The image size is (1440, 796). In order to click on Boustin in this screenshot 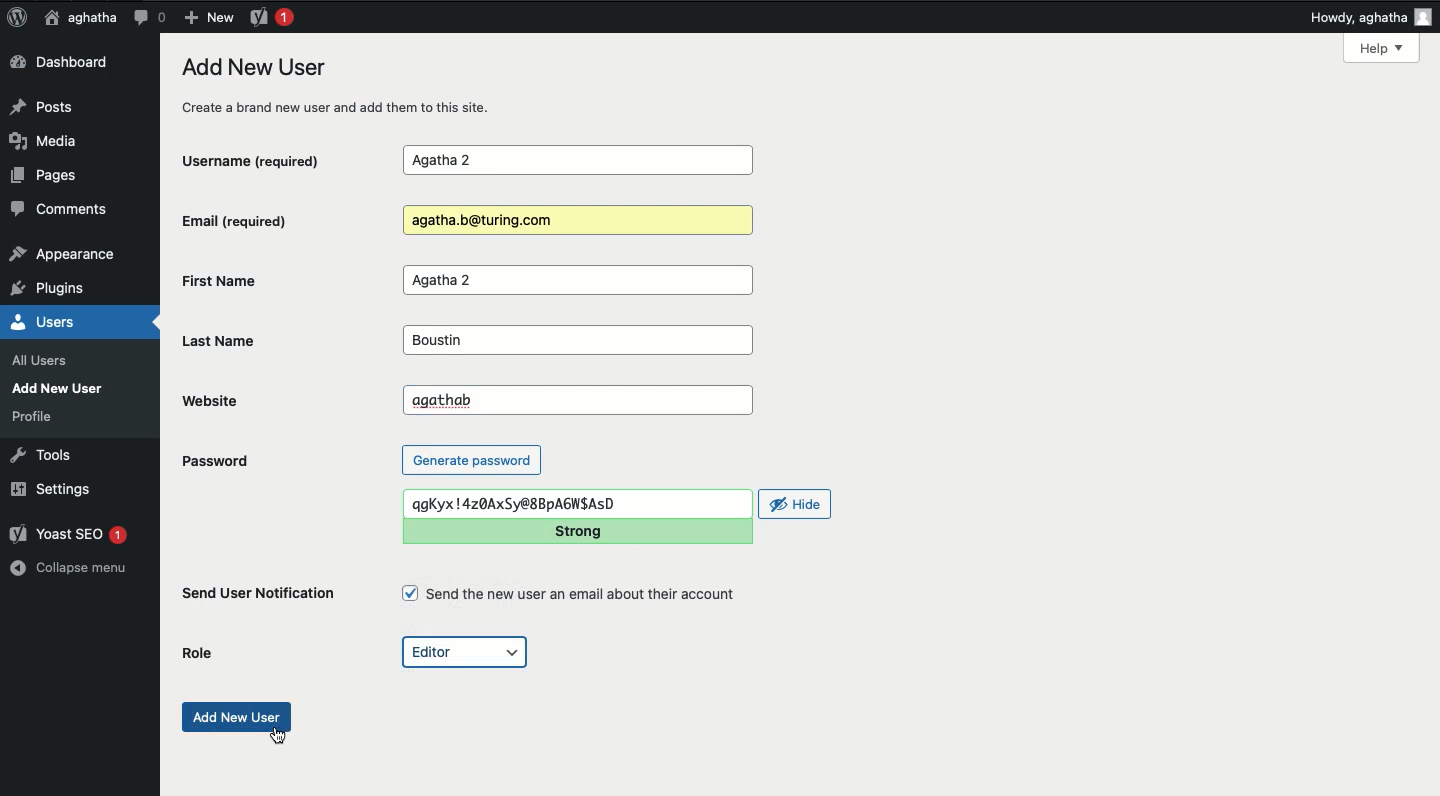, I will do `click(575, 341)`.